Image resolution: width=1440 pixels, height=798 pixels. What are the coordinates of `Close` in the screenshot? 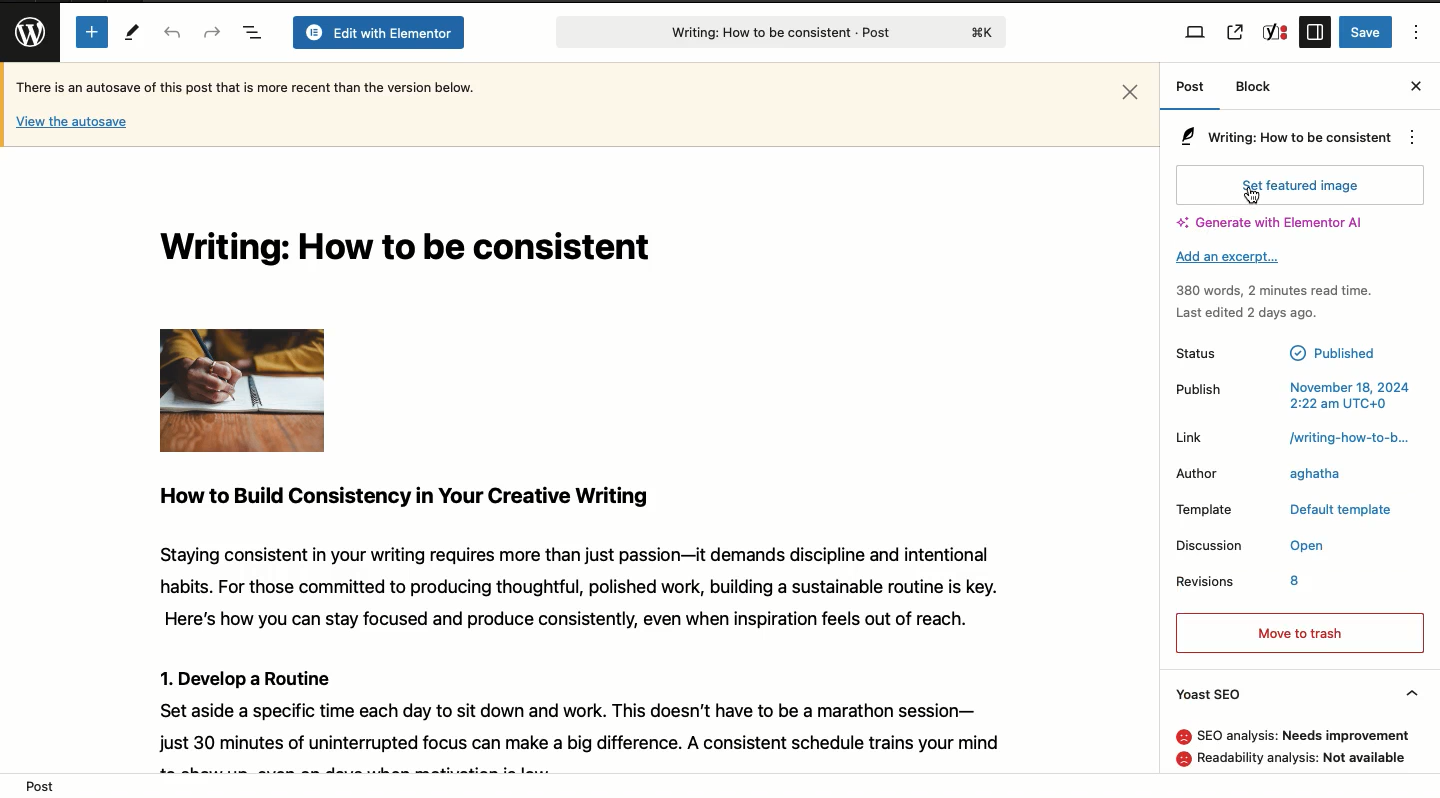 It's located at (1130, 91).